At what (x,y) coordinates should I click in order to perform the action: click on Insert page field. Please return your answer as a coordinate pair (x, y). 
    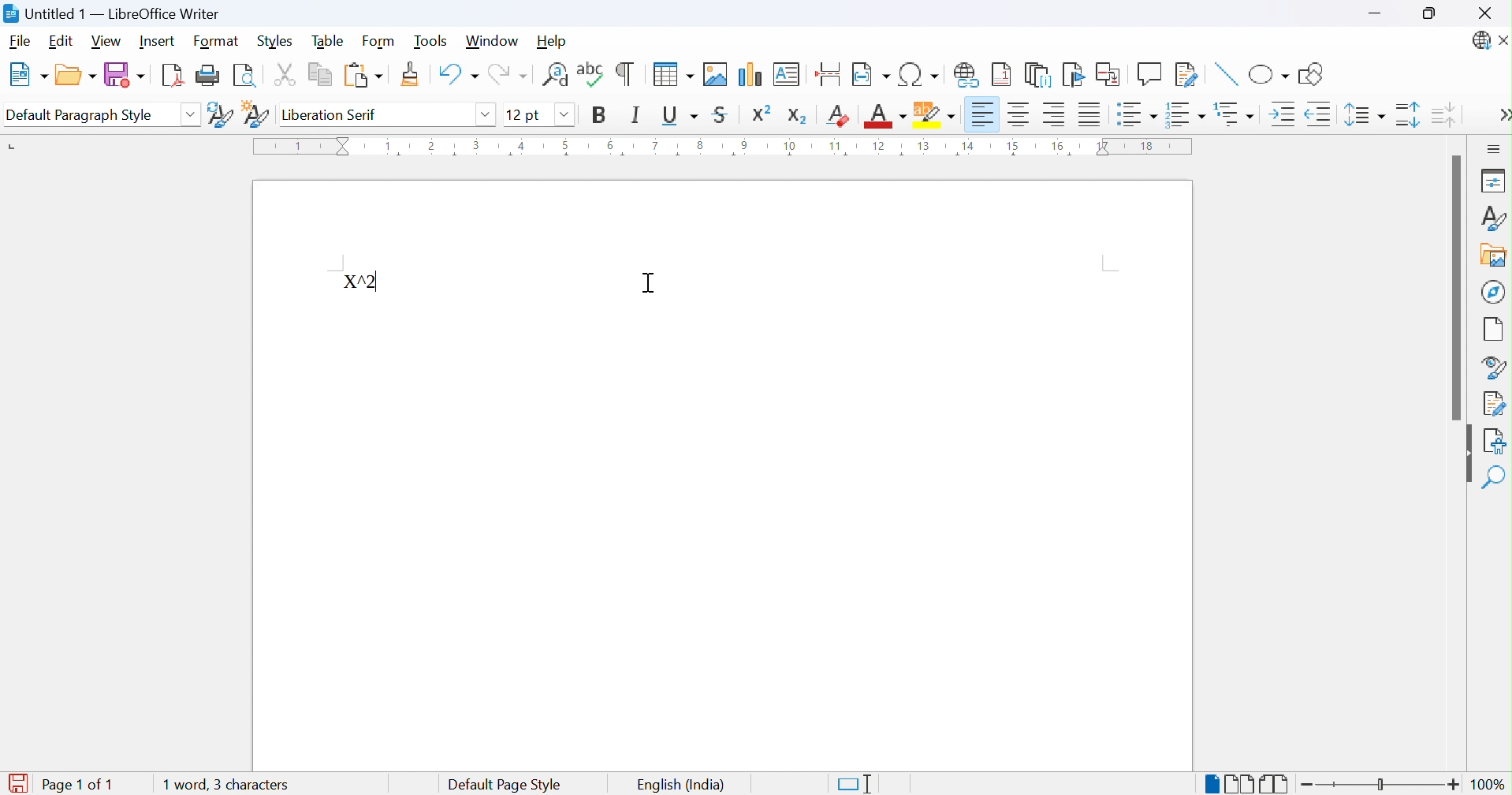
    Looking at the image, I should click on (870, 74).